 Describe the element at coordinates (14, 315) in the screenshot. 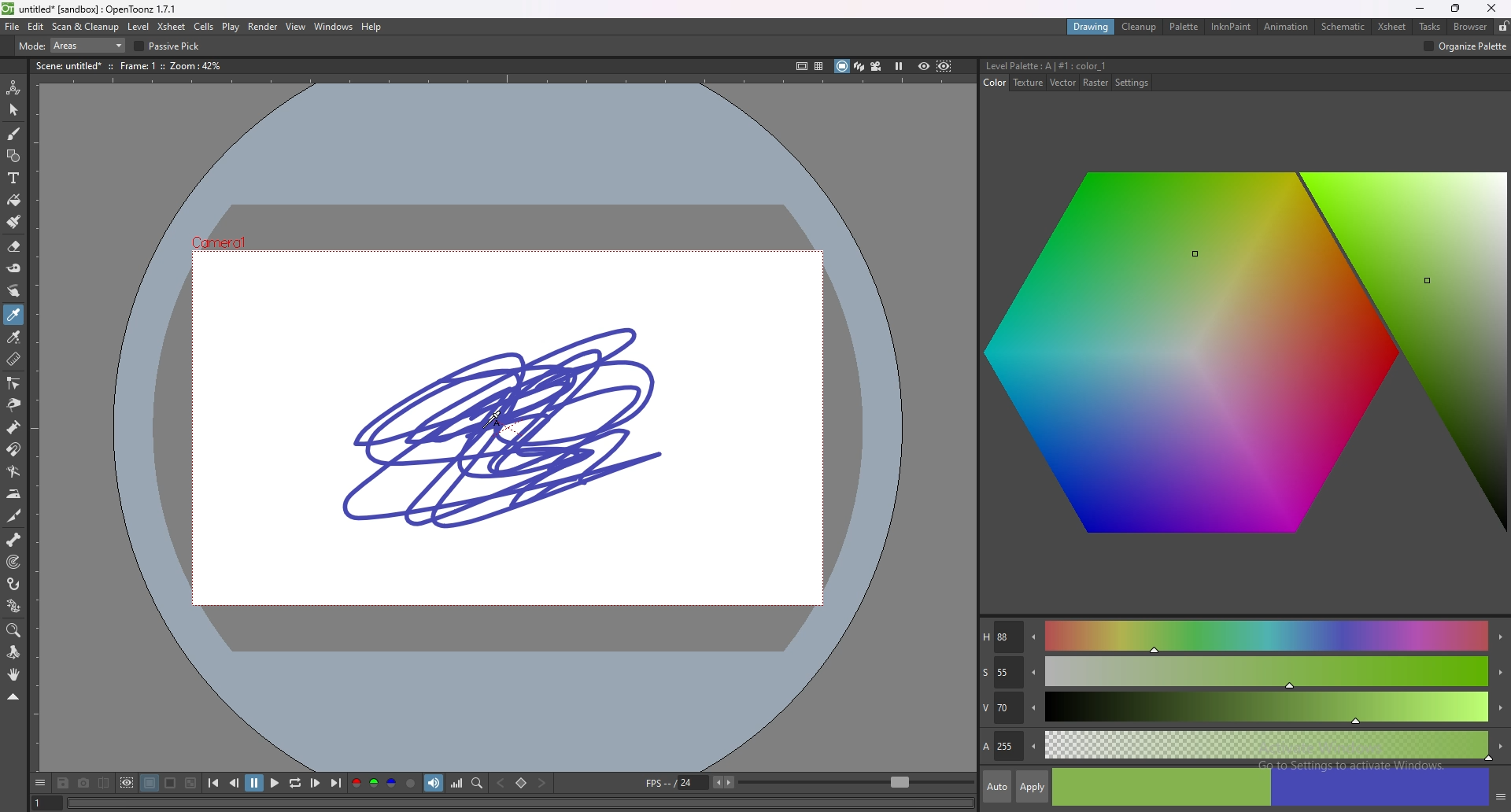

I see `style picker tool` at that location.